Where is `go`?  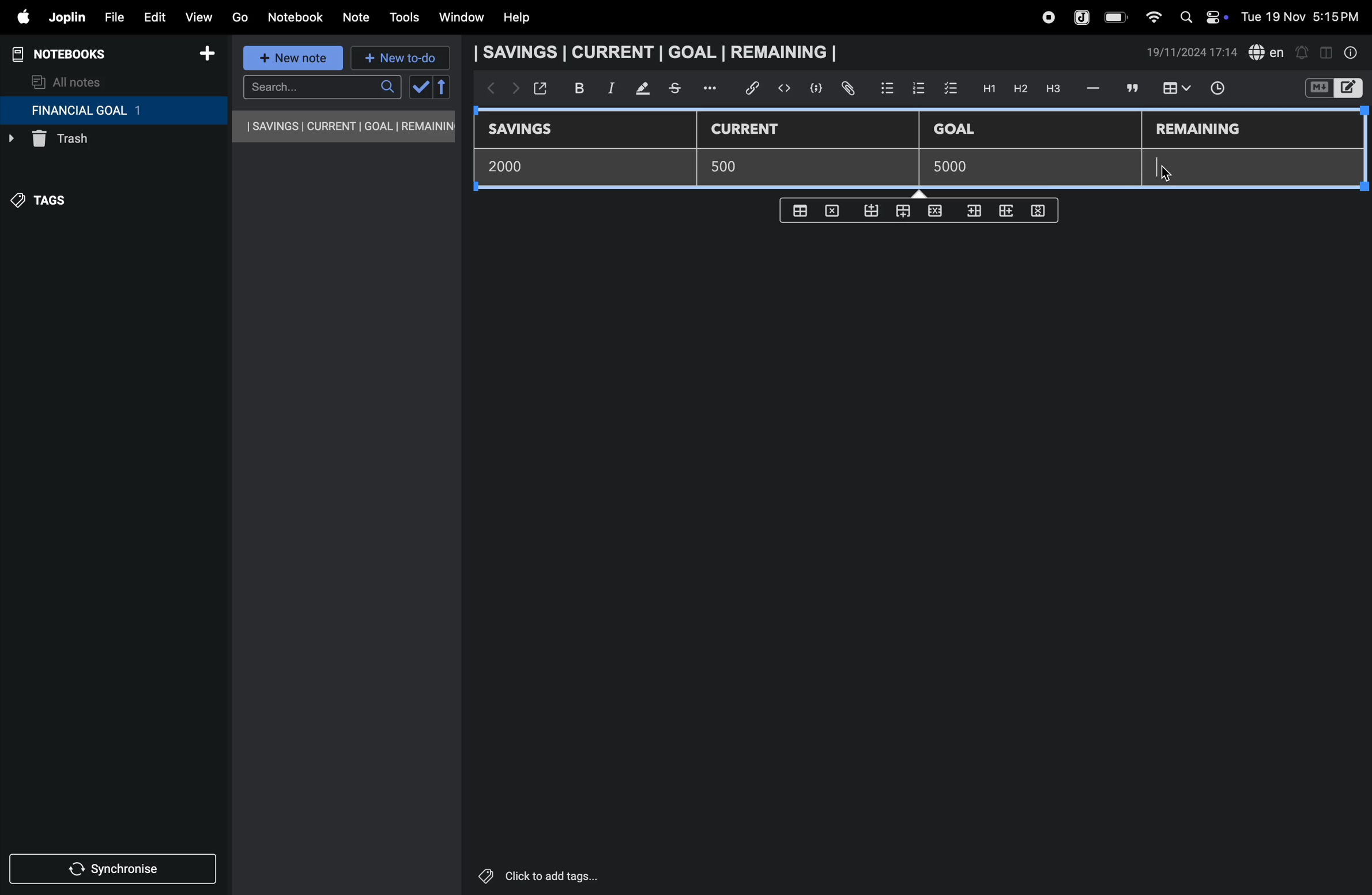 go is located at coordinates (240, 16).